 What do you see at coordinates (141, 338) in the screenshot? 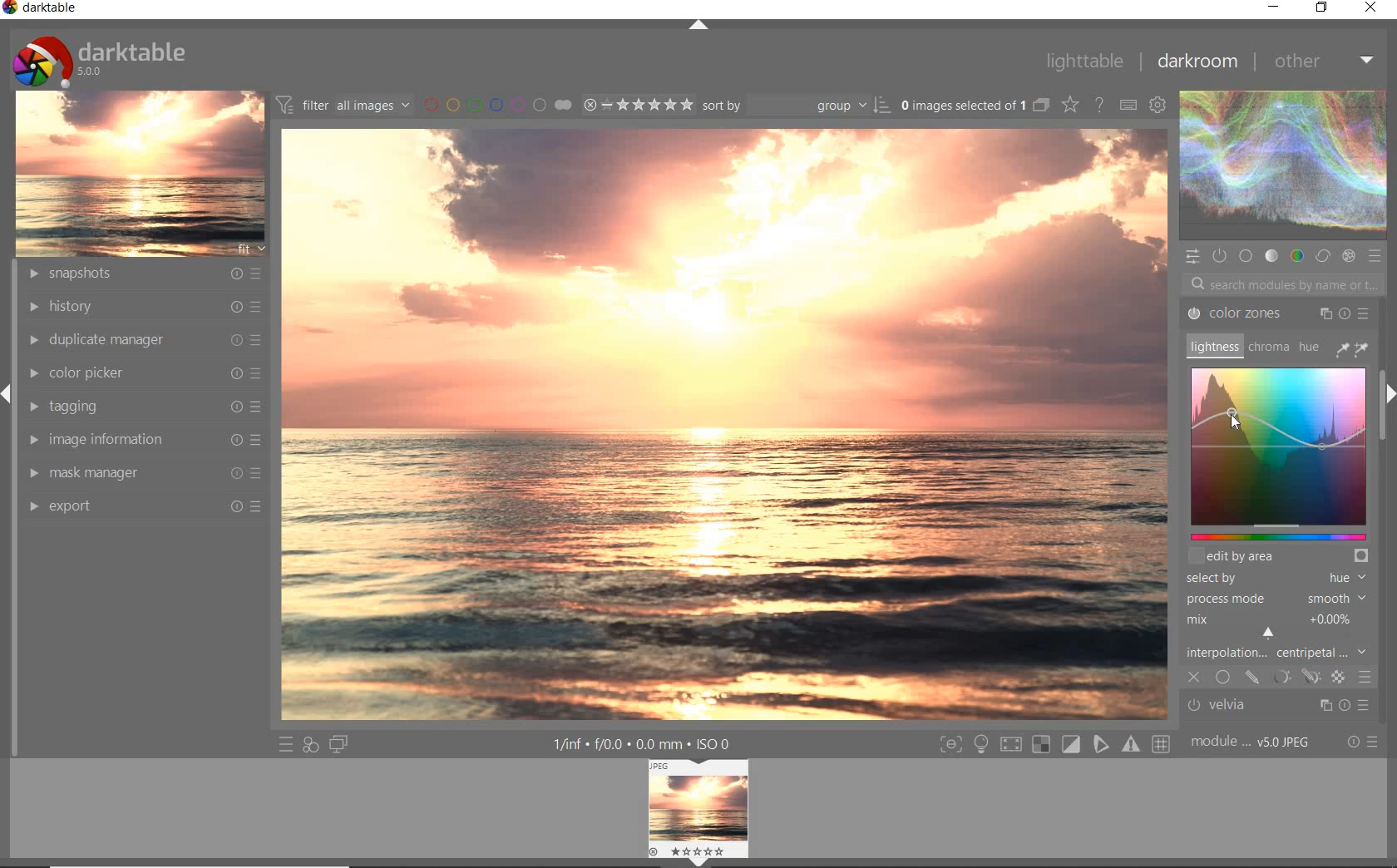
I see `DUPLICATE MANAGER` at bounding box center [141, 338].